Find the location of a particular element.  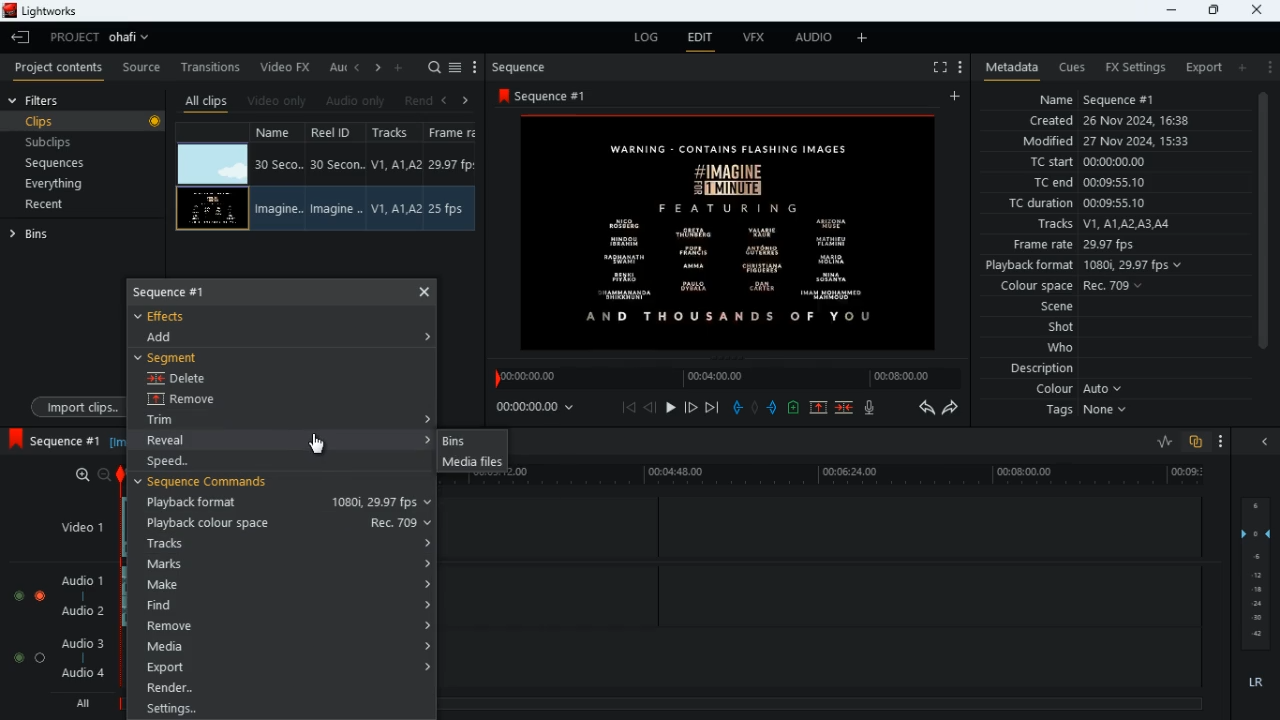

shot is located at coordinates (1061, 328).